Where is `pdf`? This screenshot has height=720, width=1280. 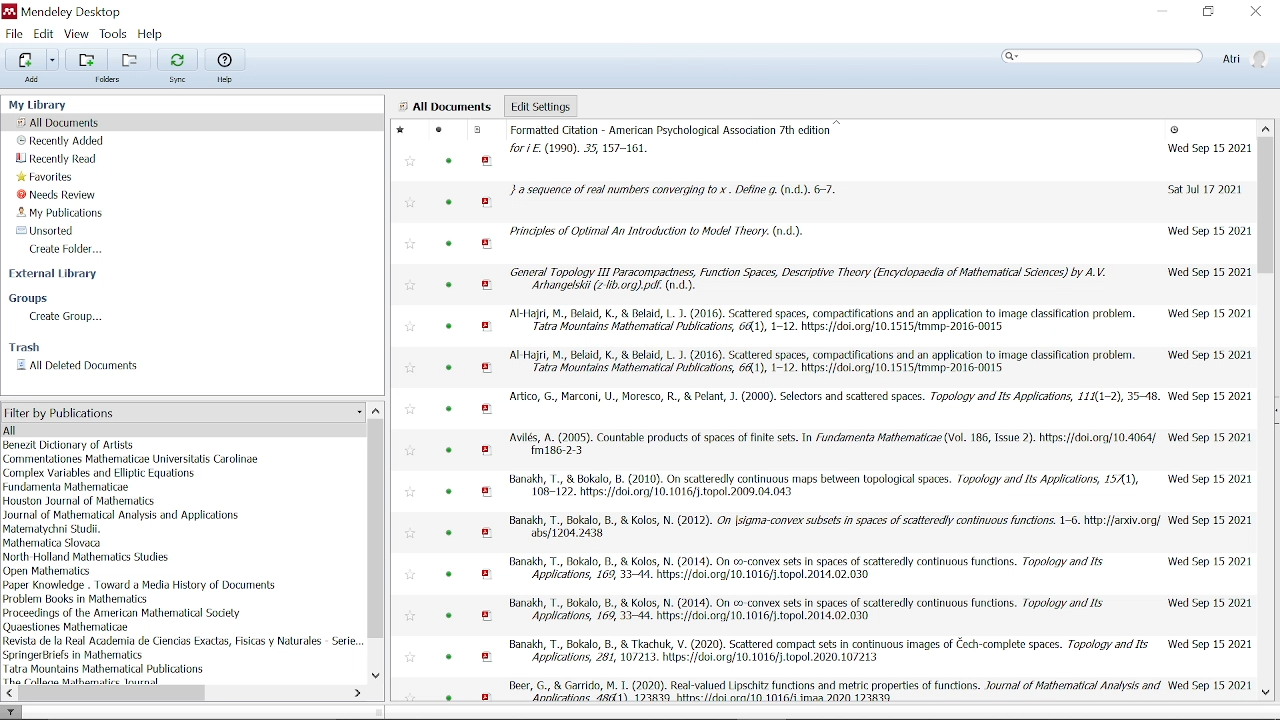 pdf is located at coordinates (488, 492).